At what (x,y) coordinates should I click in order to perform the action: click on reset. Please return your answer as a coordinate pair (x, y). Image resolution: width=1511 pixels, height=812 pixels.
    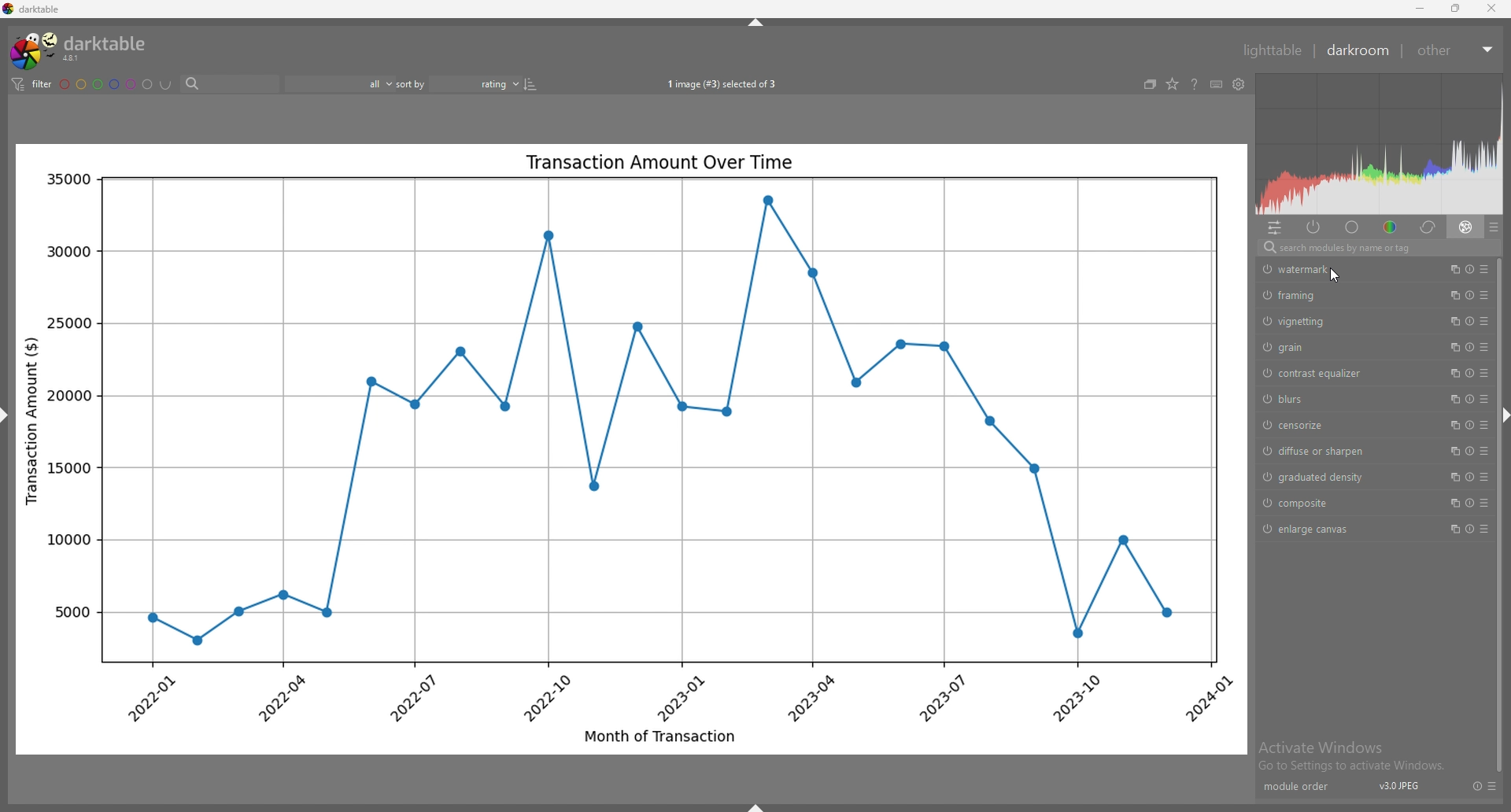
    Looking at the image, I should click on (1469, 426).